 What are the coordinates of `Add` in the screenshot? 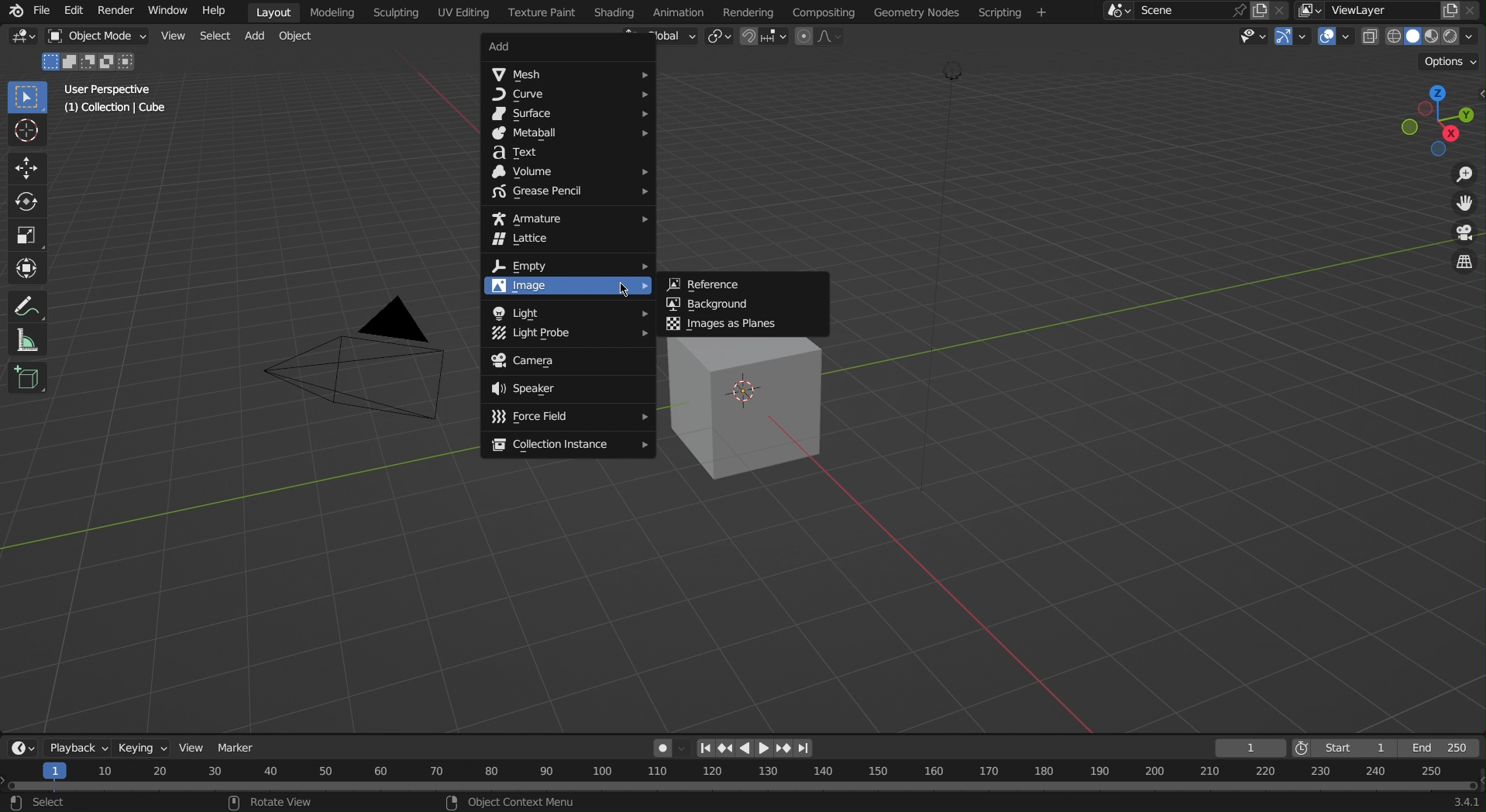 It's located at (259, 38).